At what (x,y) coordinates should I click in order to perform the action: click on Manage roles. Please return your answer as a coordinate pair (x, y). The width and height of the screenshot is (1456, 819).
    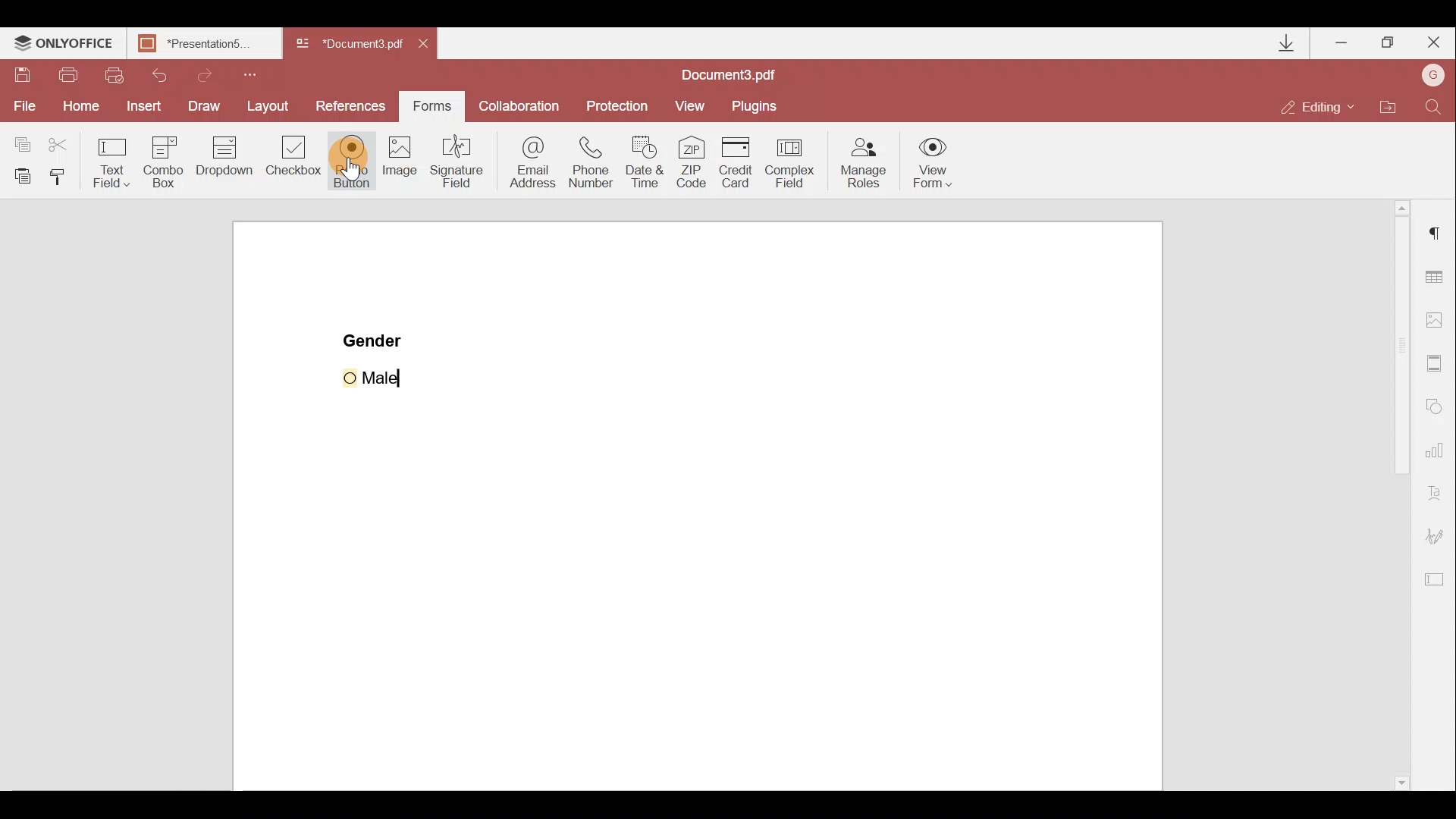
    Looking at the image, I should click on (859, 162).